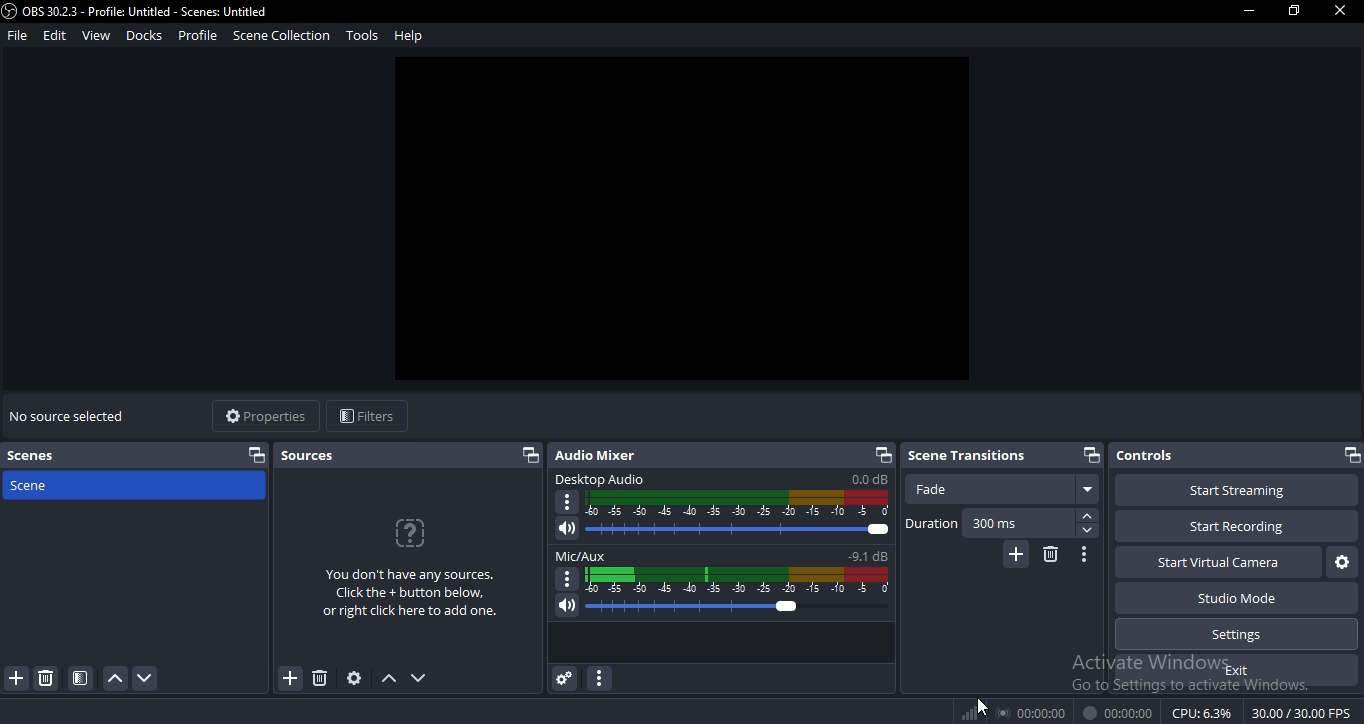 The width and height of the screenshot is (1364, 724). I want to click on scene transitions, so click(967, 455).